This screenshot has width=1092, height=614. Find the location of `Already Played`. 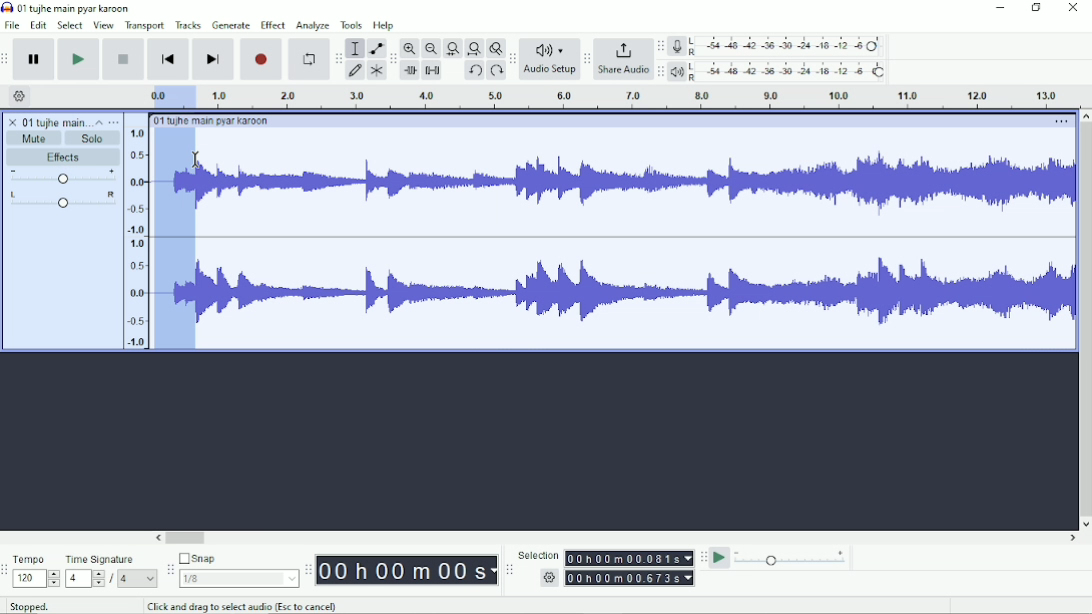

Already Played is located at coordinates (176, 240).